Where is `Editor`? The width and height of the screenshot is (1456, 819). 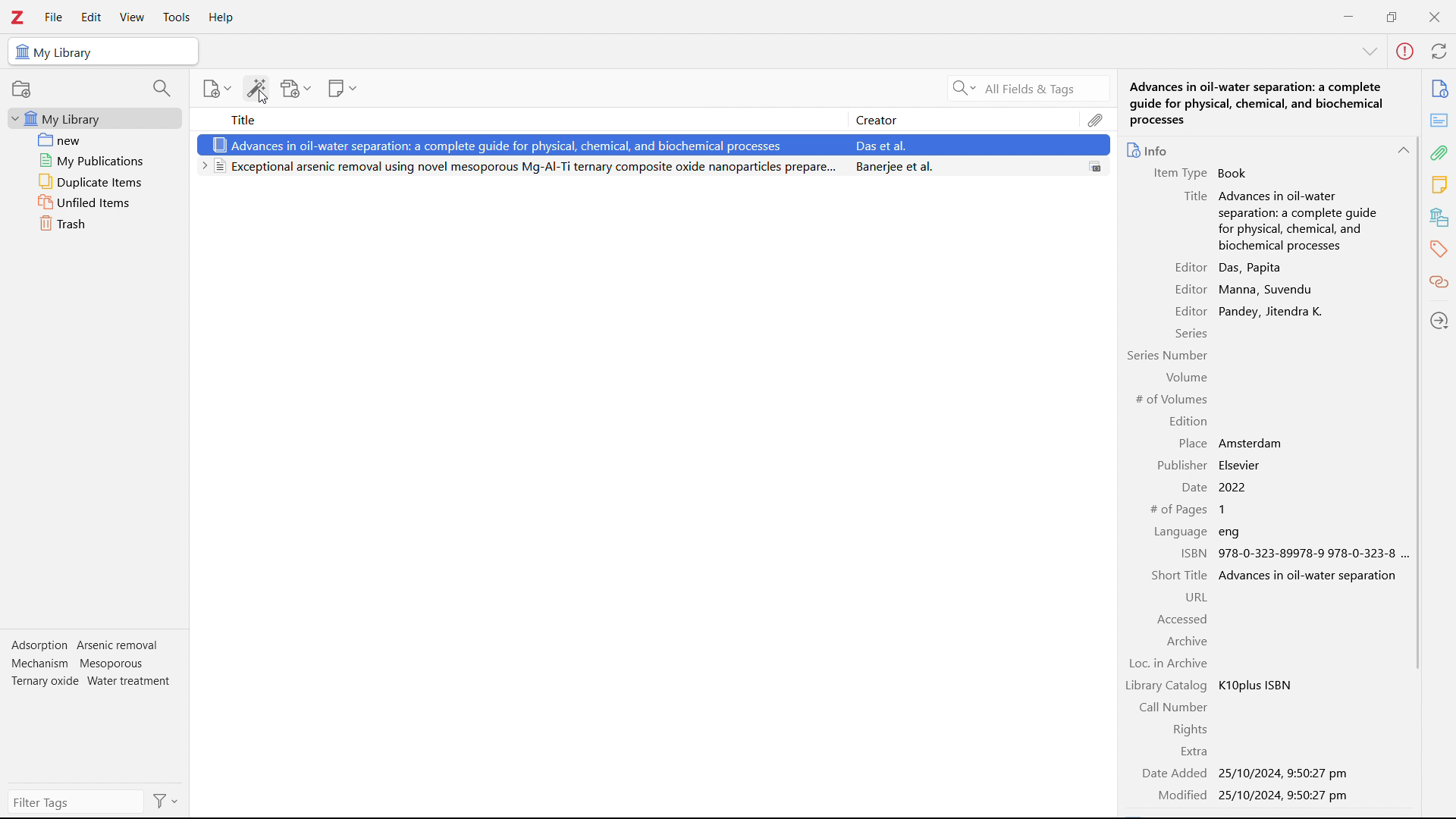
Editor is located at coordinates (1188, 311).